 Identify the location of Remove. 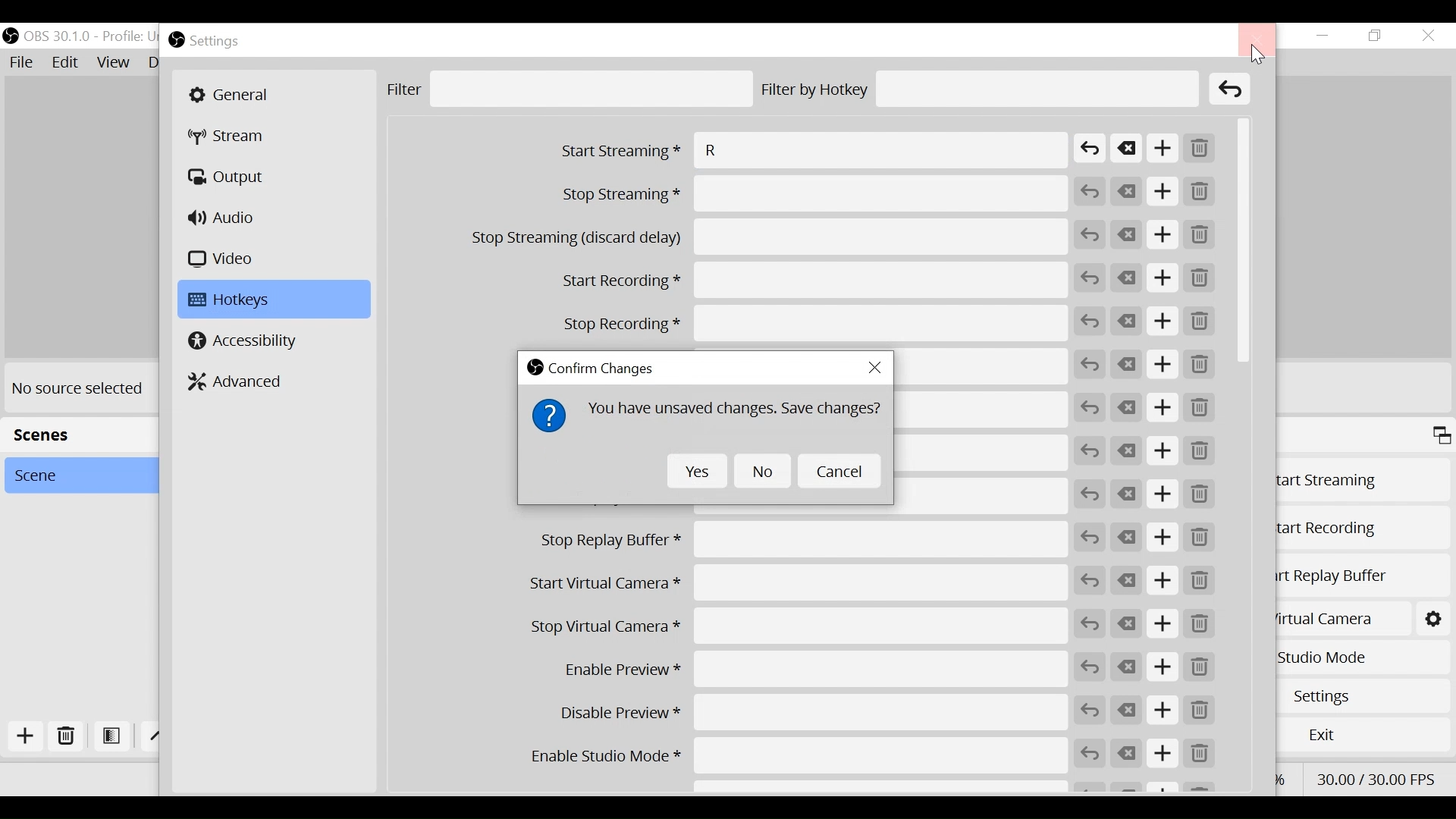
(1200, 582).